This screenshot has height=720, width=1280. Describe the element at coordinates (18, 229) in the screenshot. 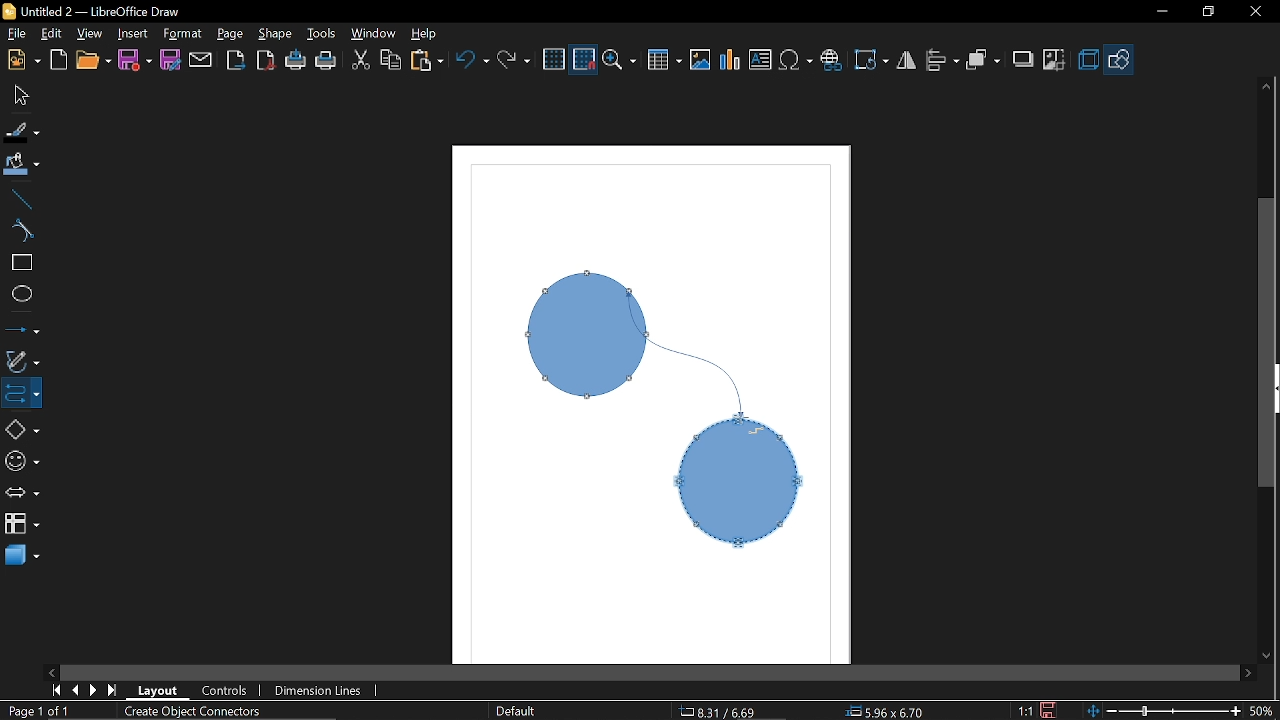

I see `Curve` at that location.